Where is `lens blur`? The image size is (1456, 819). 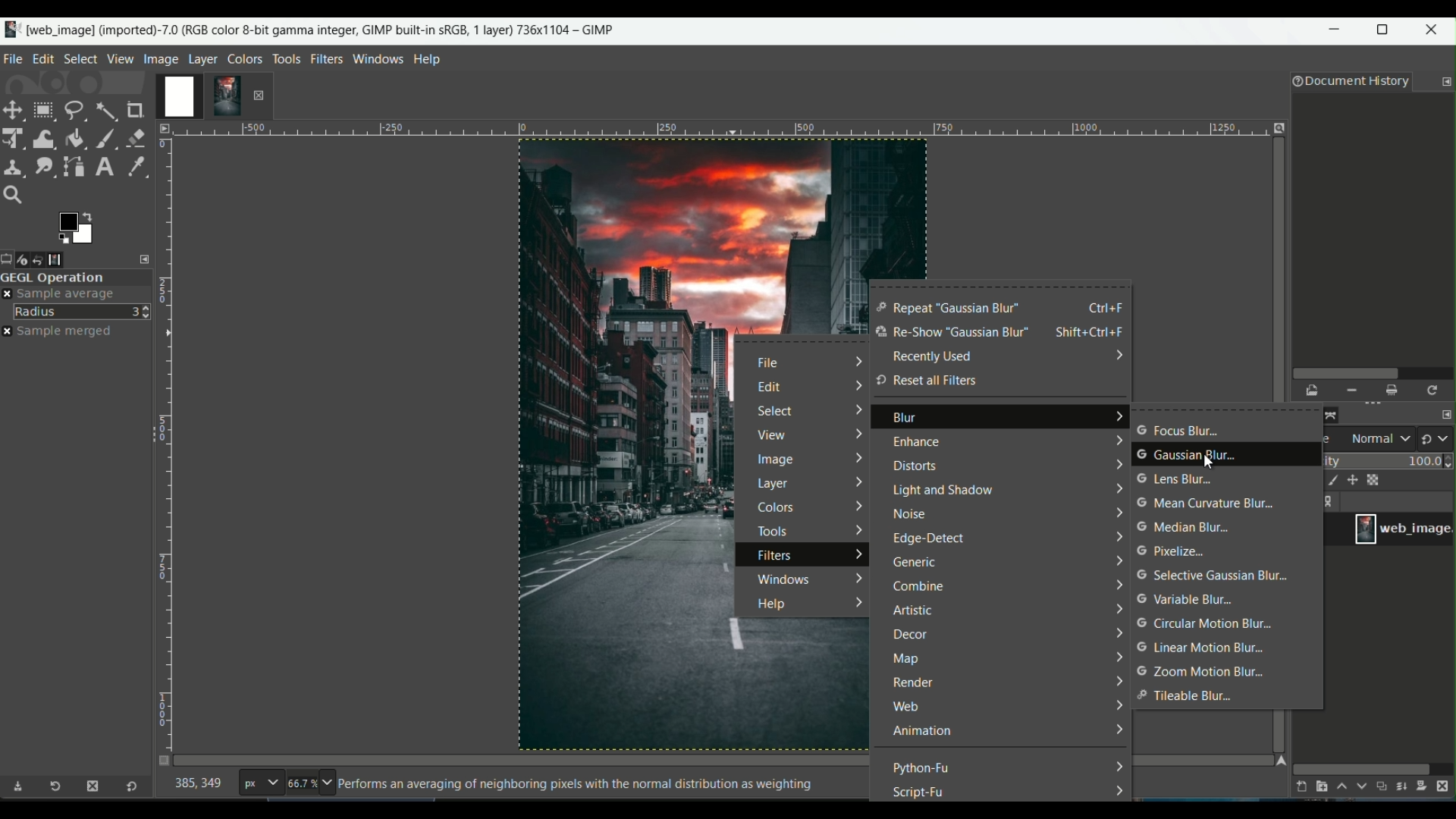 lens blur is located at coordinates (1175, 479).